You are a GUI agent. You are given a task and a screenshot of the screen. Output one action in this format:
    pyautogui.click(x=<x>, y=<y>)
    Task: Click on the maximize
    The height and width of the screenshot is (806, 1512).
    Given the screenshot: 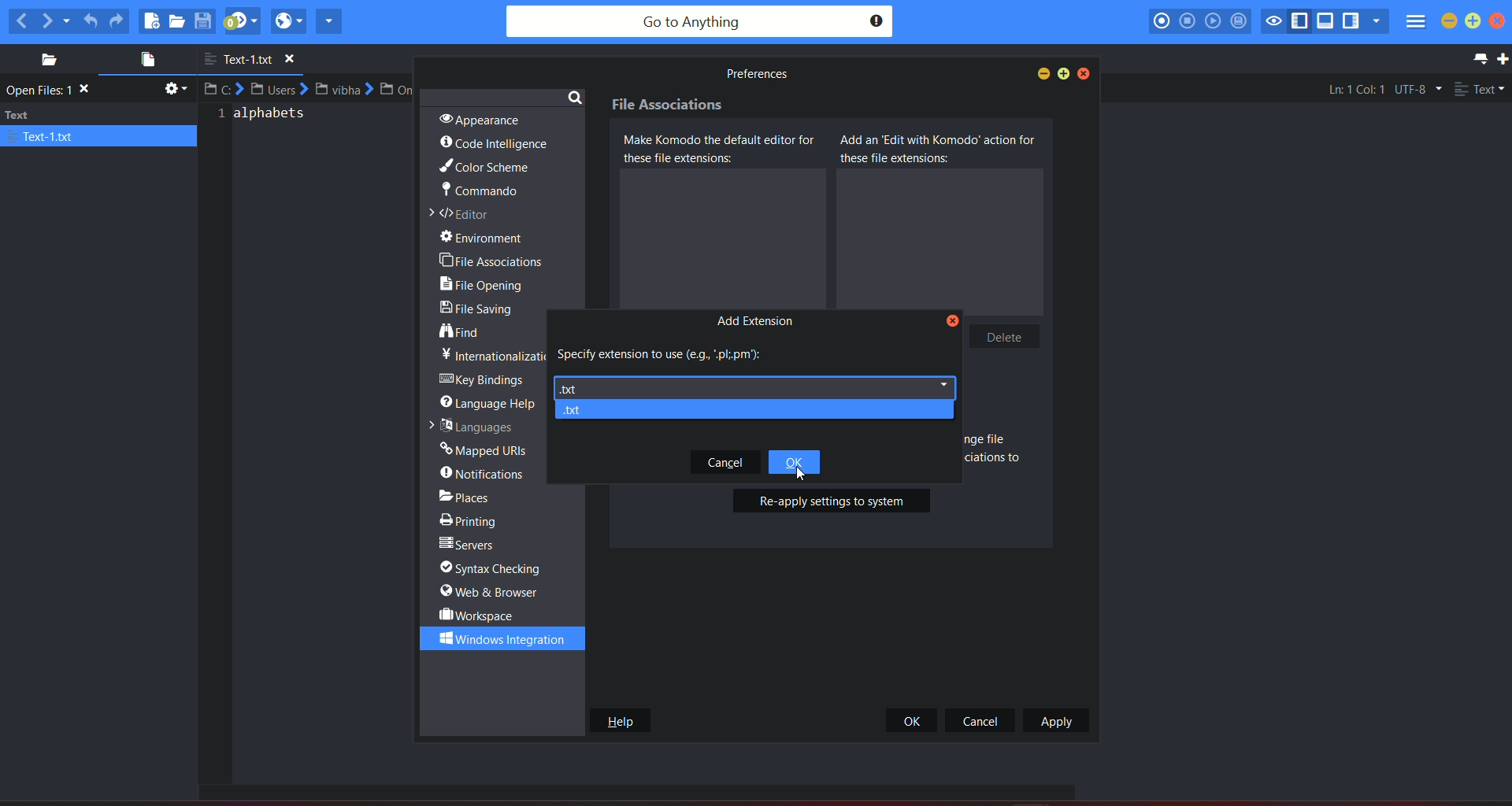 What is the action you would take?
    pyautogui.click(x=1065, y=73)
    